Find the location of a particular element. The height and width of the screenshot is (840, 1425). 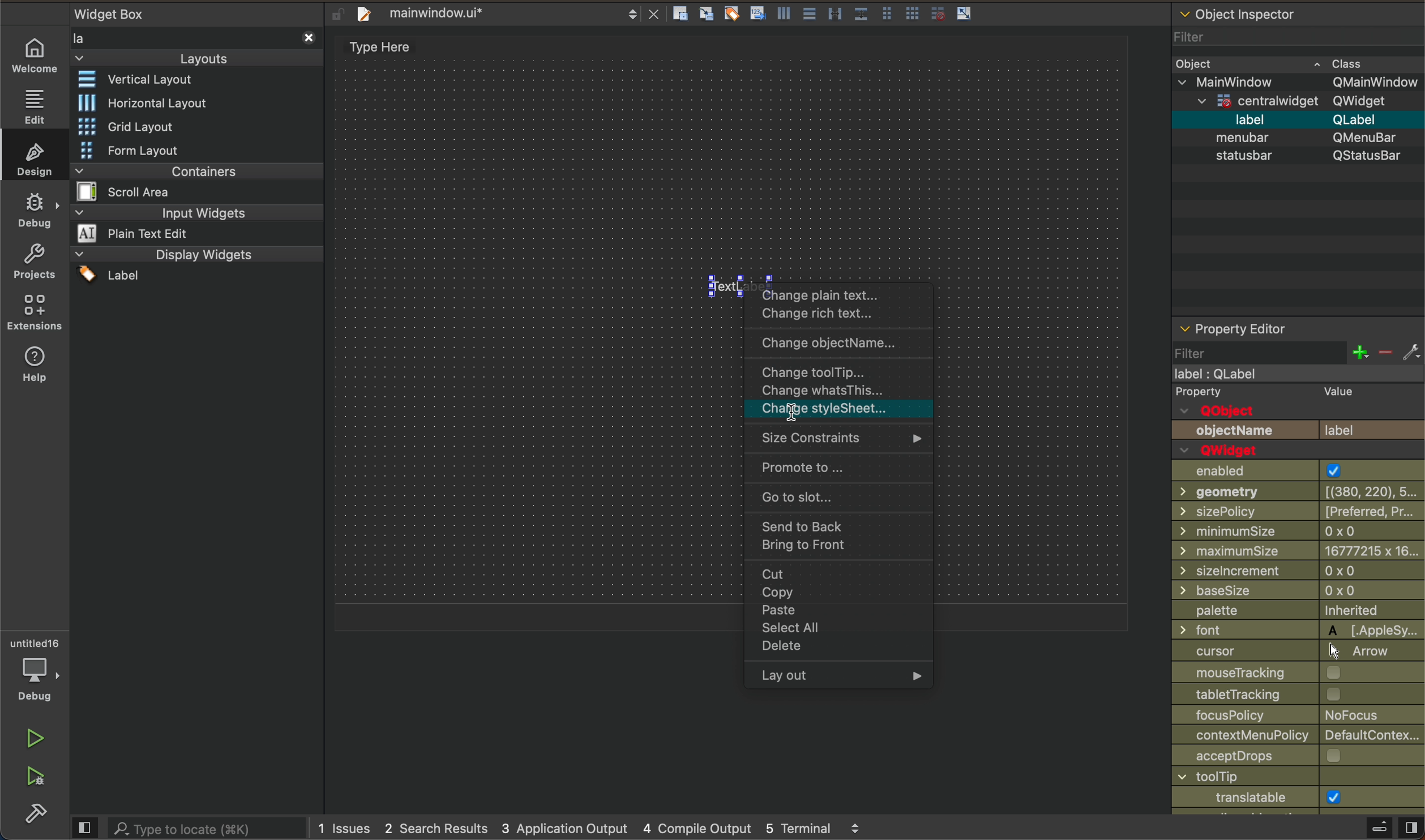

issues is located at coordinates (344, 828).